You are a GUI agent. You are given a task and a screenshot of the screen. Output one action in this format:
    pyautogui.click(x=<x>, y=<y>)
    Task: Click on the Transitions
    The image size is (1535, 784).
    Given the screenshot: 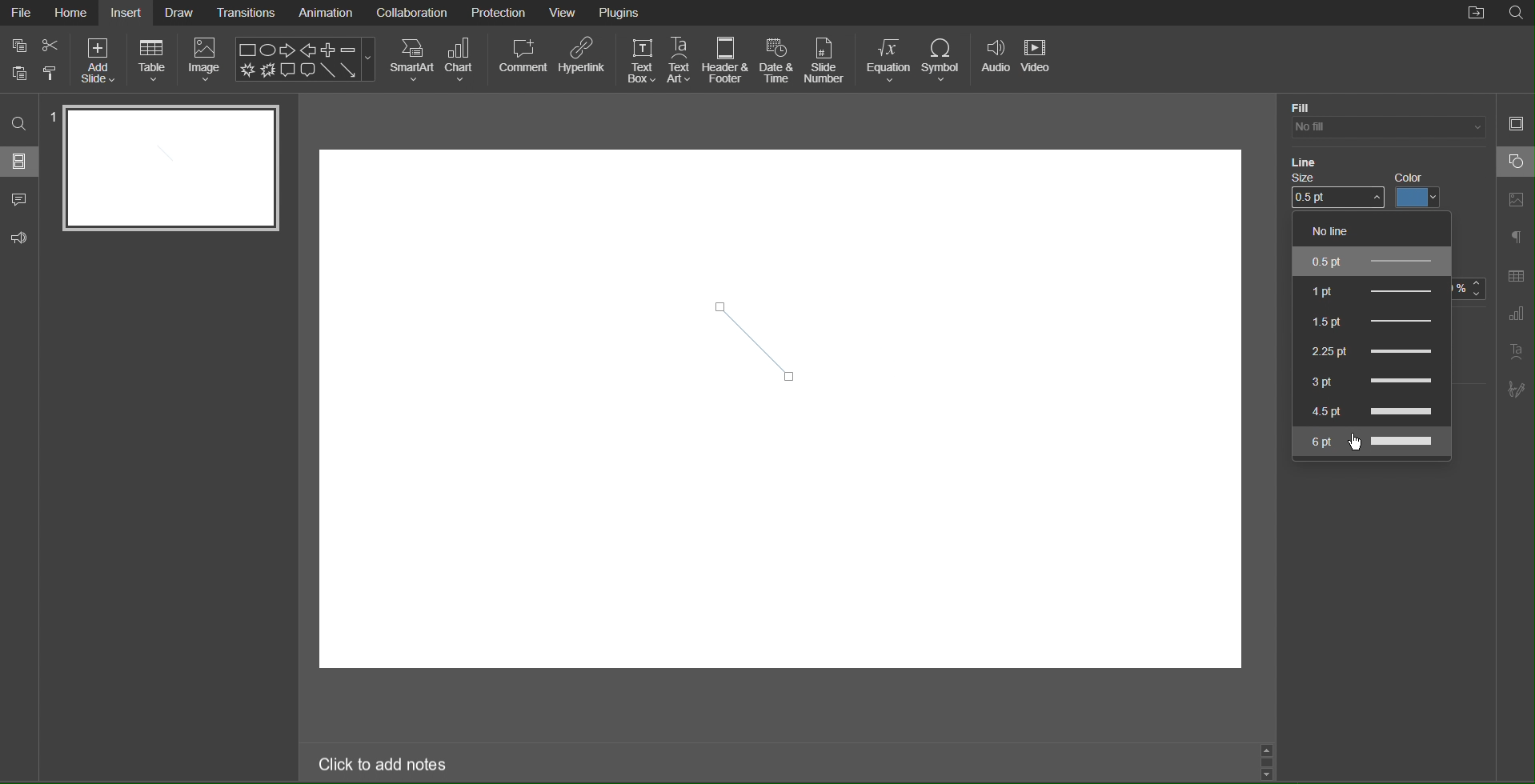 What is the action you would take?
    pyautogui.click(x=246, y=12)
    